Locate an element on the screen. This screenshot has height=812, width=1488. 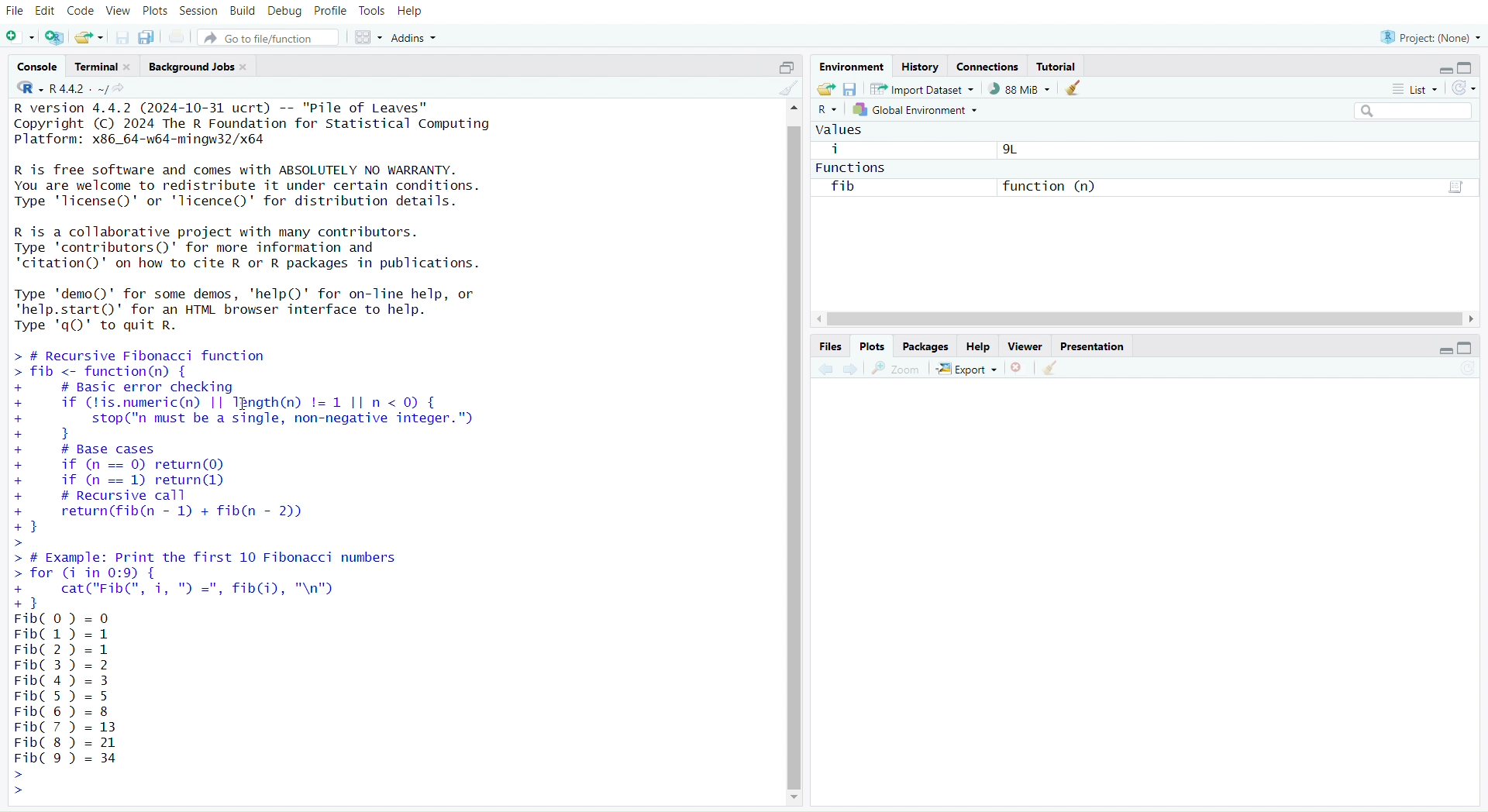
search is located at coordinates (1407, 111).